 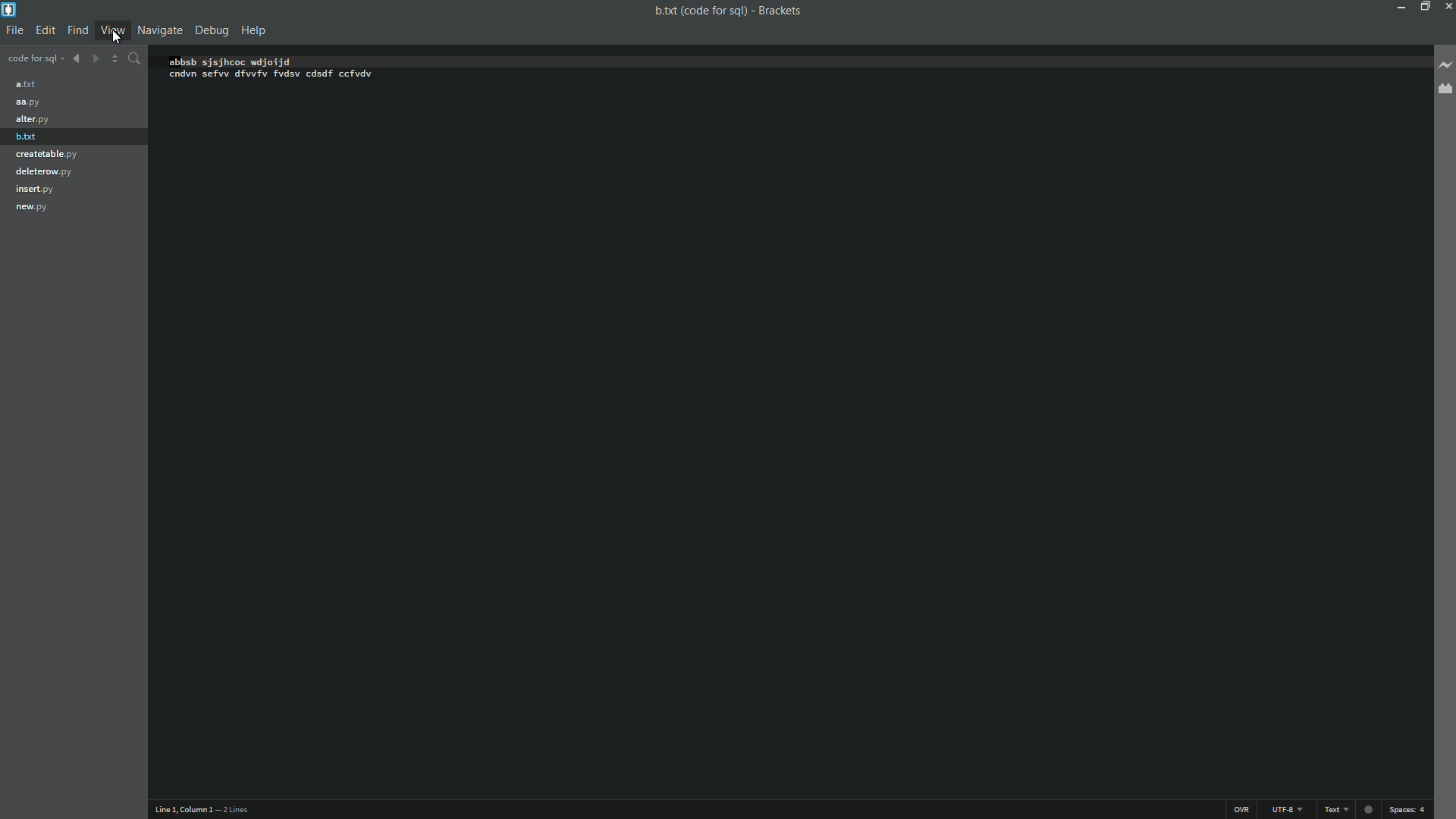 What do you see at coordinates (1444, 91) in the screenshot?
I see `Extension managers` at bounding box center [1444, 91].